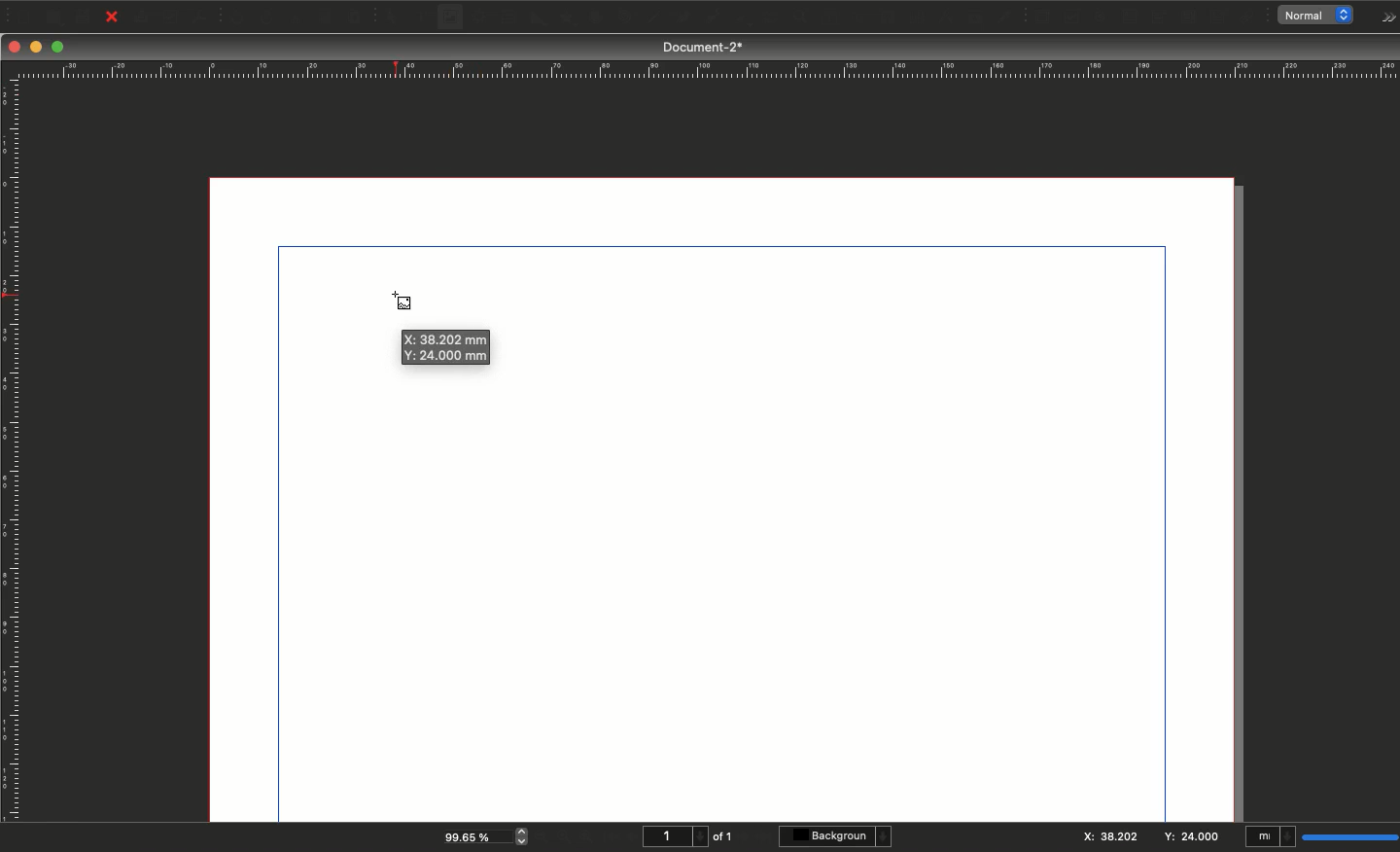 This screenshot has height=852, width=1400. Describe the element at coordinates (525, 835) in the screenshot. I see `zoom in and out` at that location.